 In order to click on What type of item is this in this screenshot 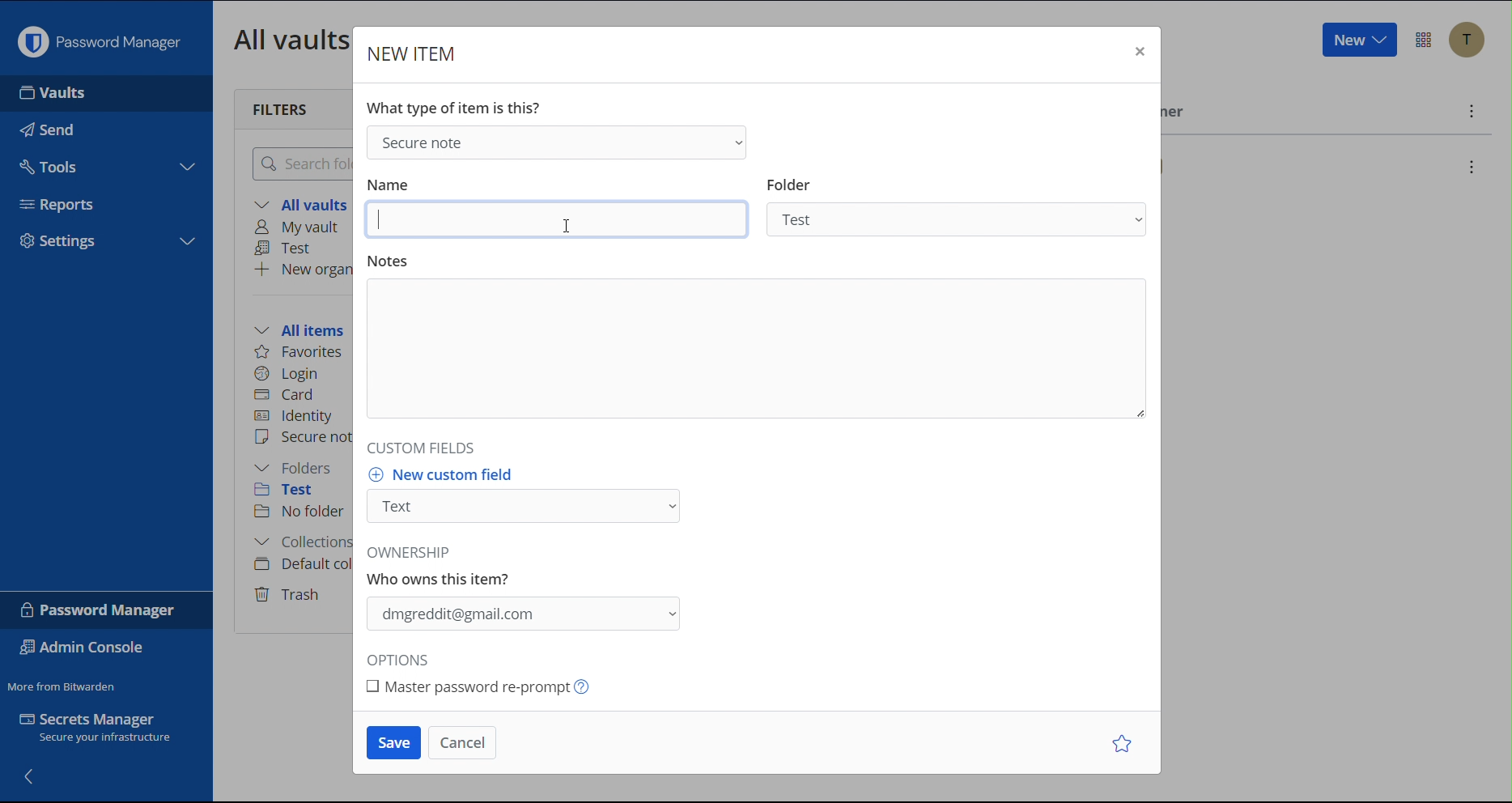, I will do `click(452, 108)`.